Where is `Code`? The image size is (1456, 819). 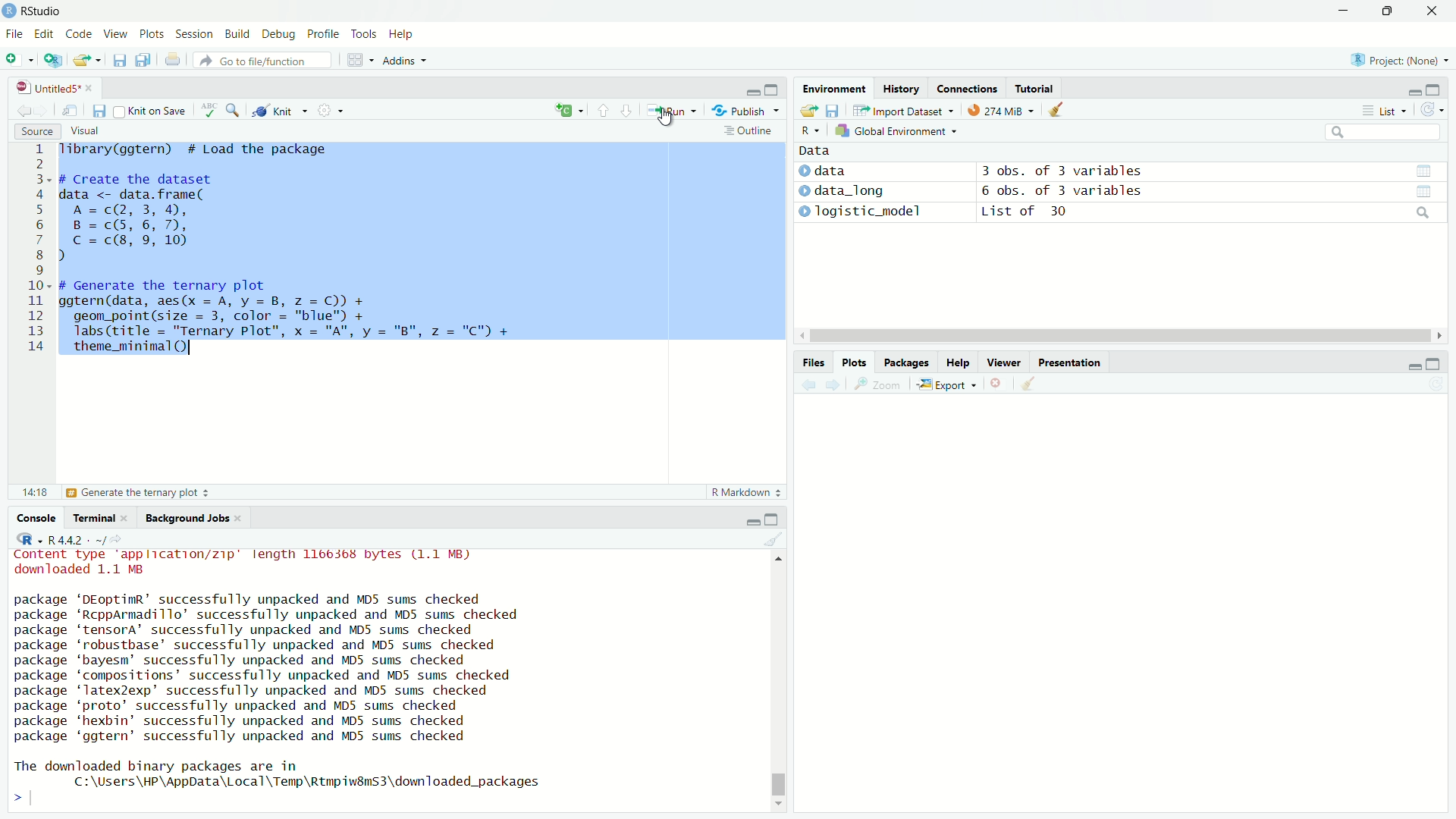
Code is located at coordinates (76, 34).